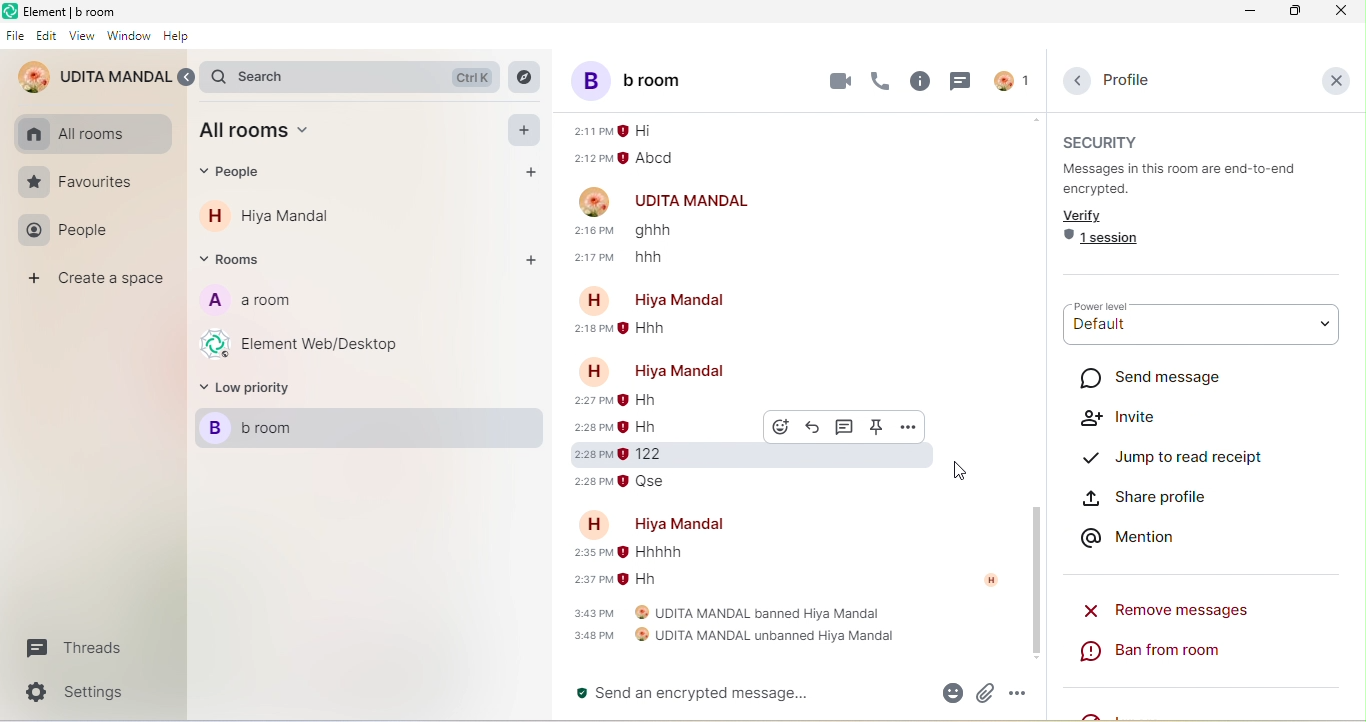 The image size is (1366, 722). What do you see at coordinates (949, 692) in the screenshot?
I see `emoji` at bounding box center [949, 692].